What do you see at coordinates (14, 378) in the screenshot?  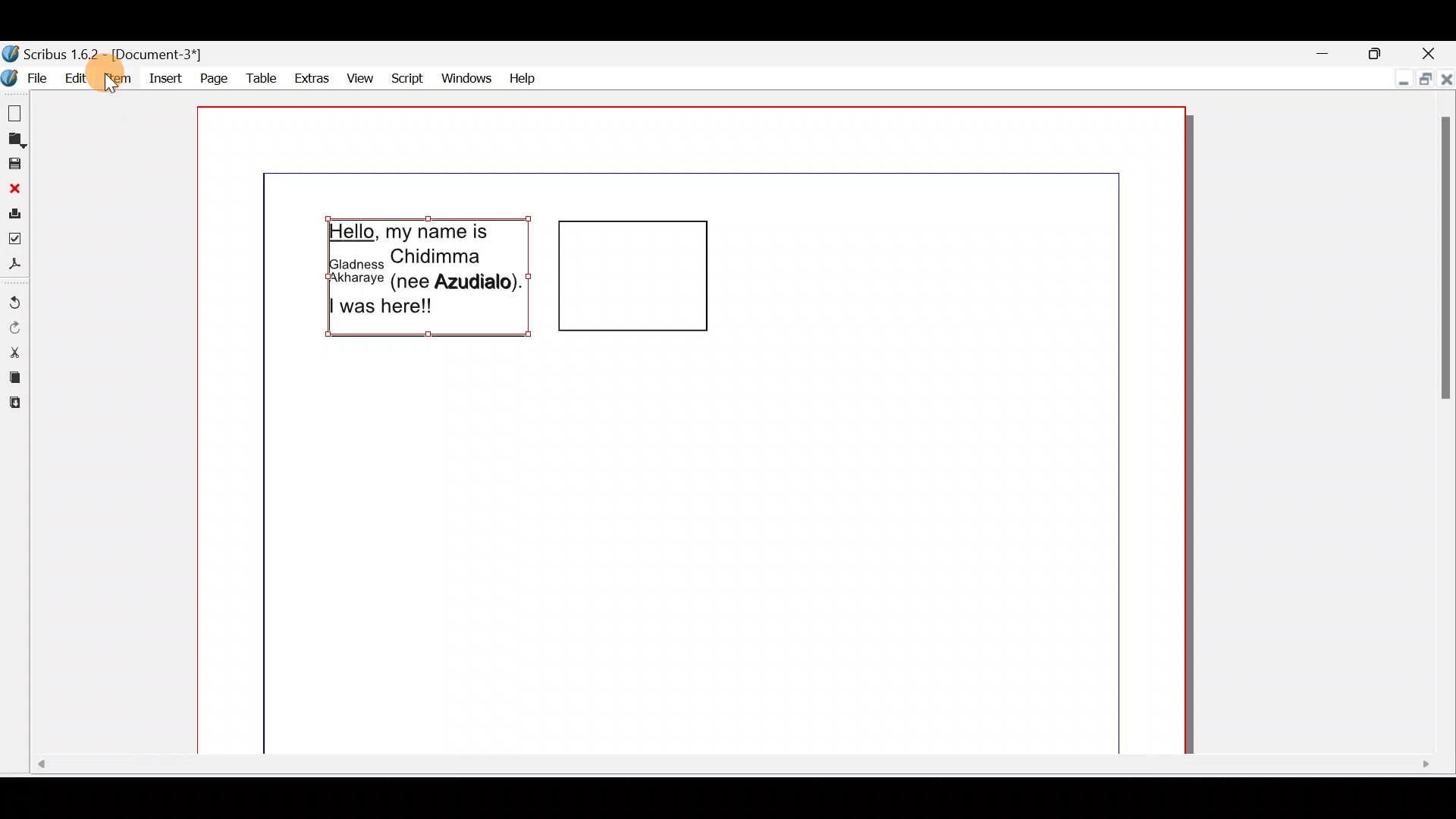 I see `Copy` at bounding box center [14, 378].